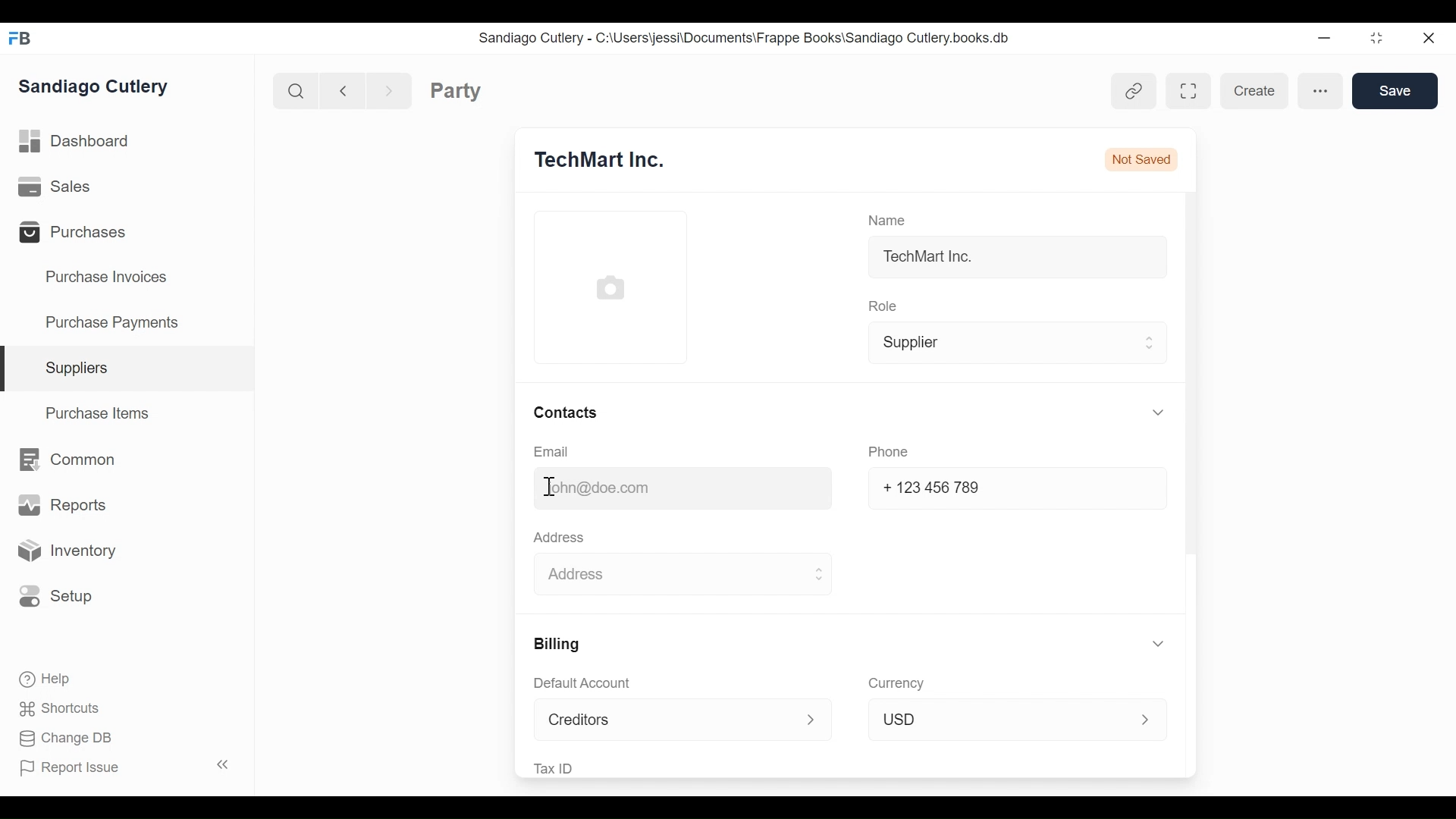  I want to click on Purchase Payments, so click(115, 321).